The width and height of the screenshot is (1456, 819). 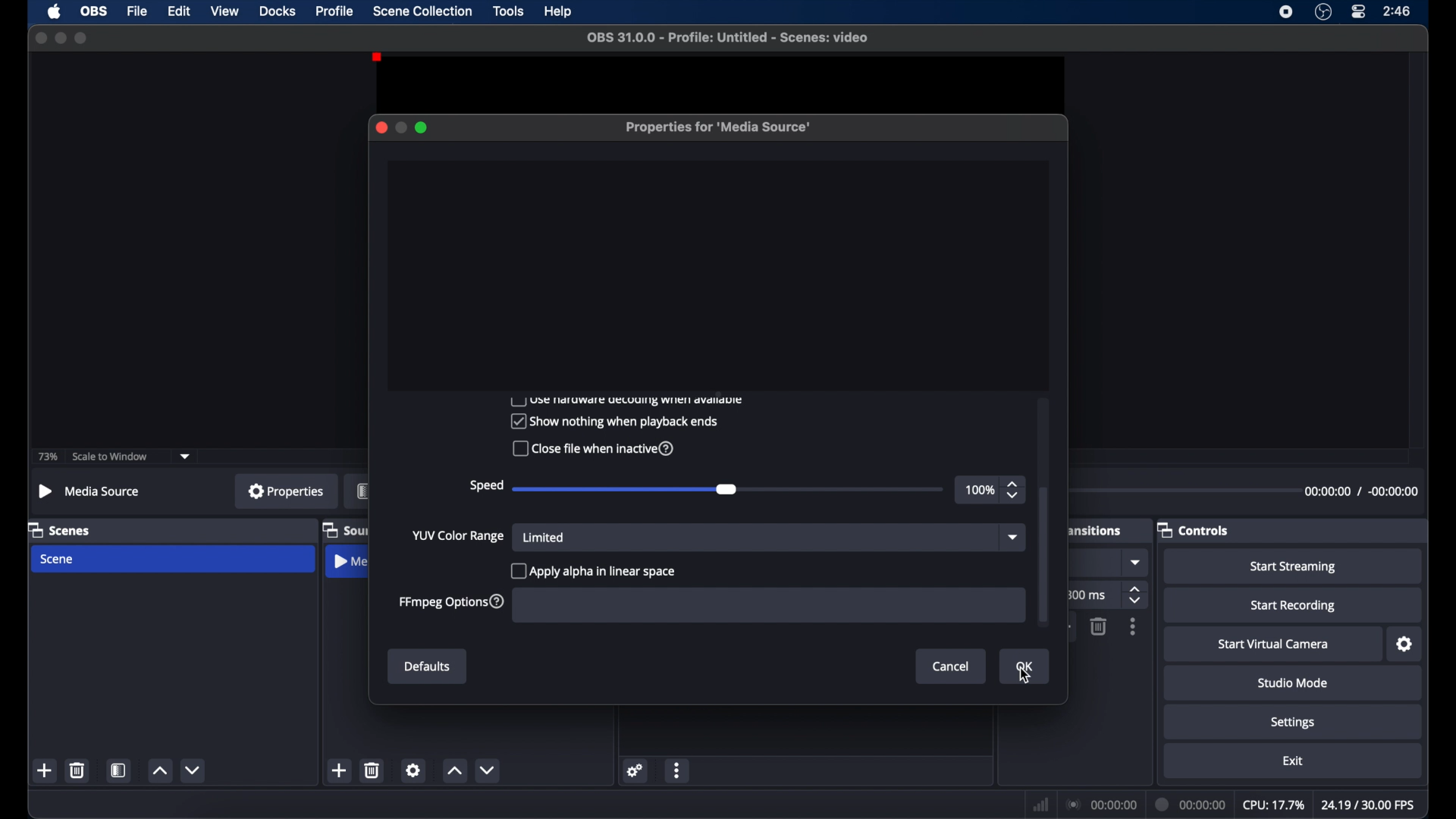 What do you see at coordinates (1137, 596) in the screenshot?
I see `stepper buttons` at bounding box center [1137, 596].